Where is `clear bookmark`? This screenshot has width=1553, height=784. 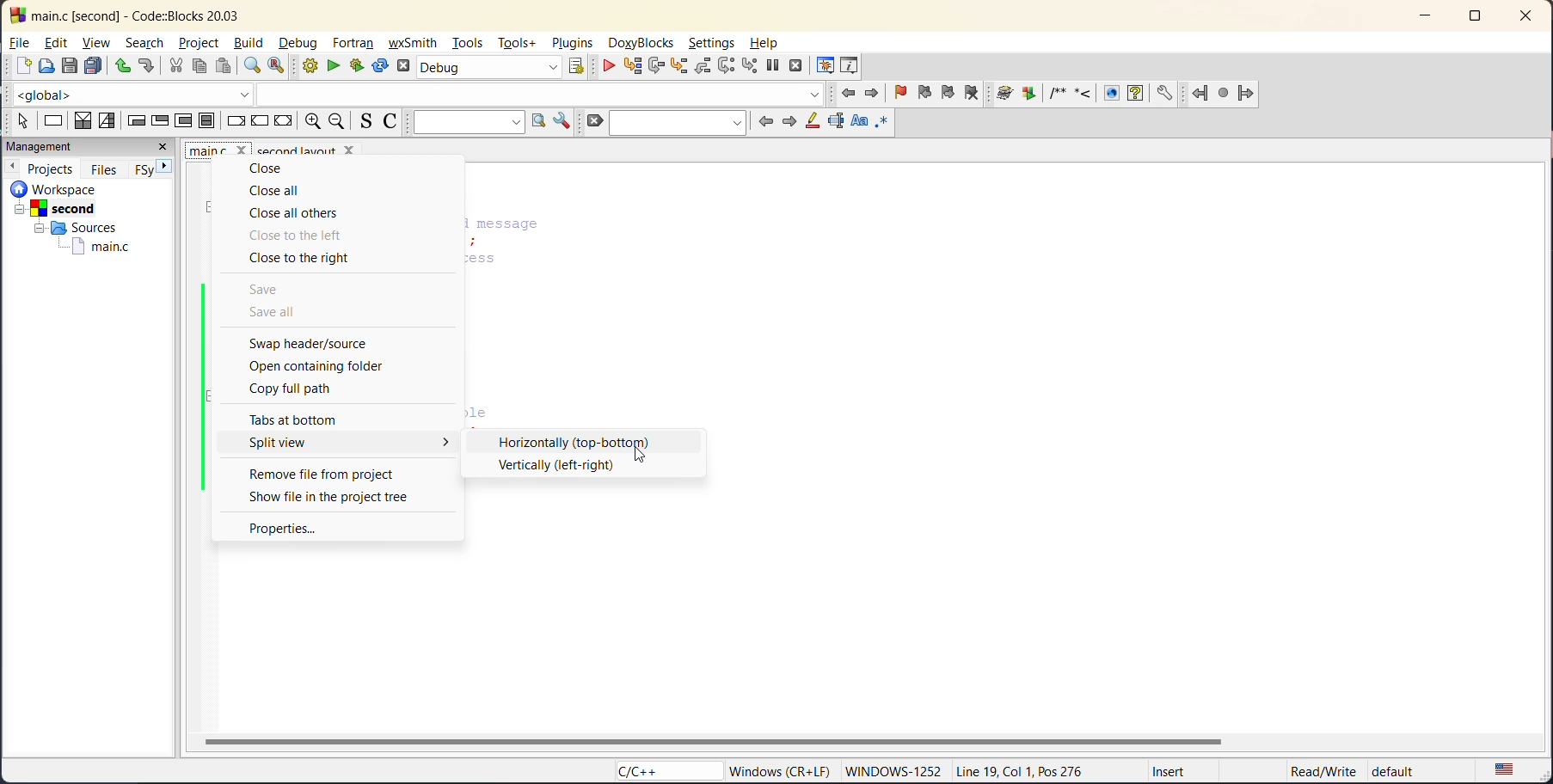 clear bookmark is located at coordinates (977, 95).